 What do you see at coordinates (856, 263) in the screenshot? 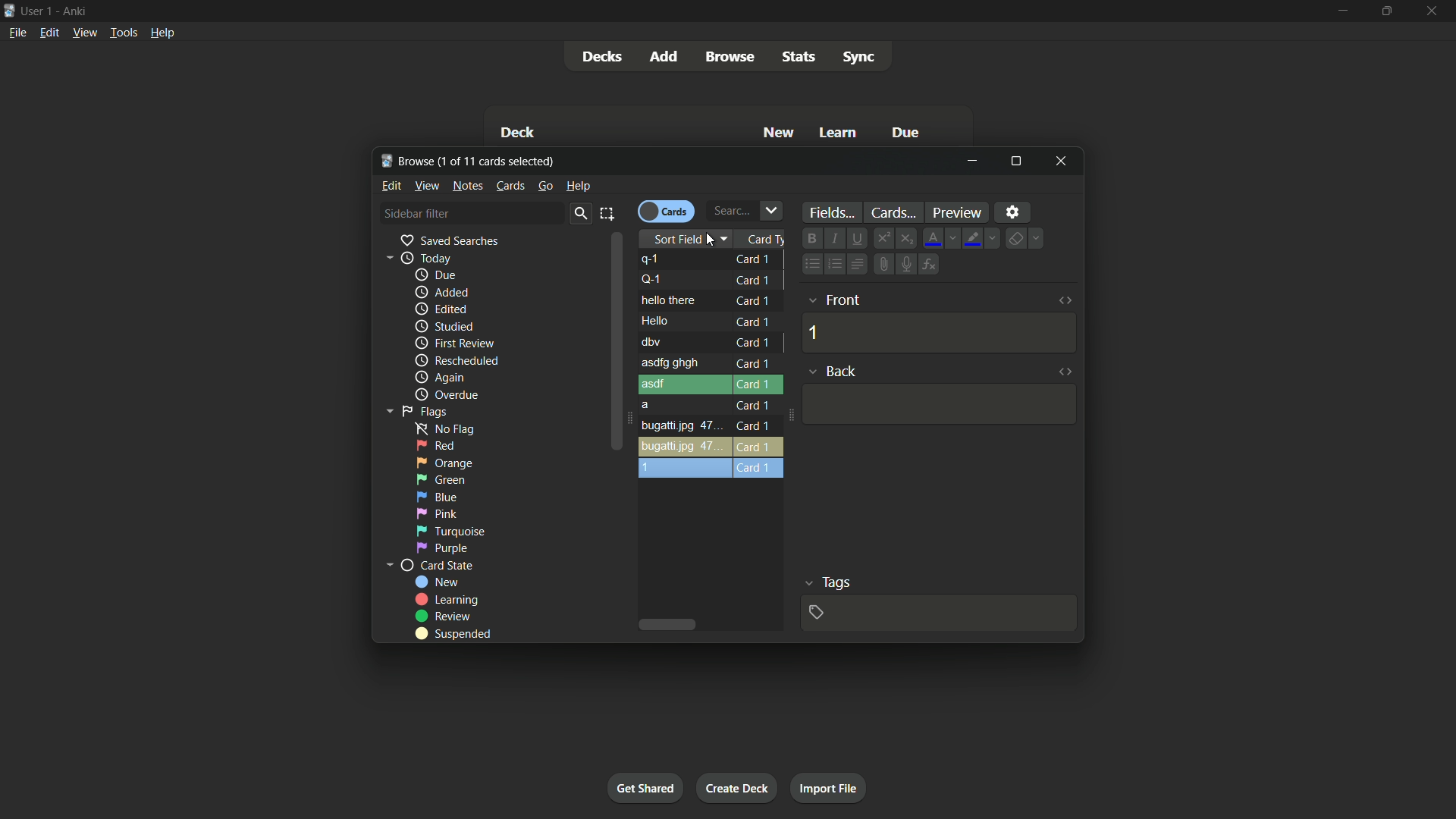
I see `alignment` at bounding box center [856, 263].